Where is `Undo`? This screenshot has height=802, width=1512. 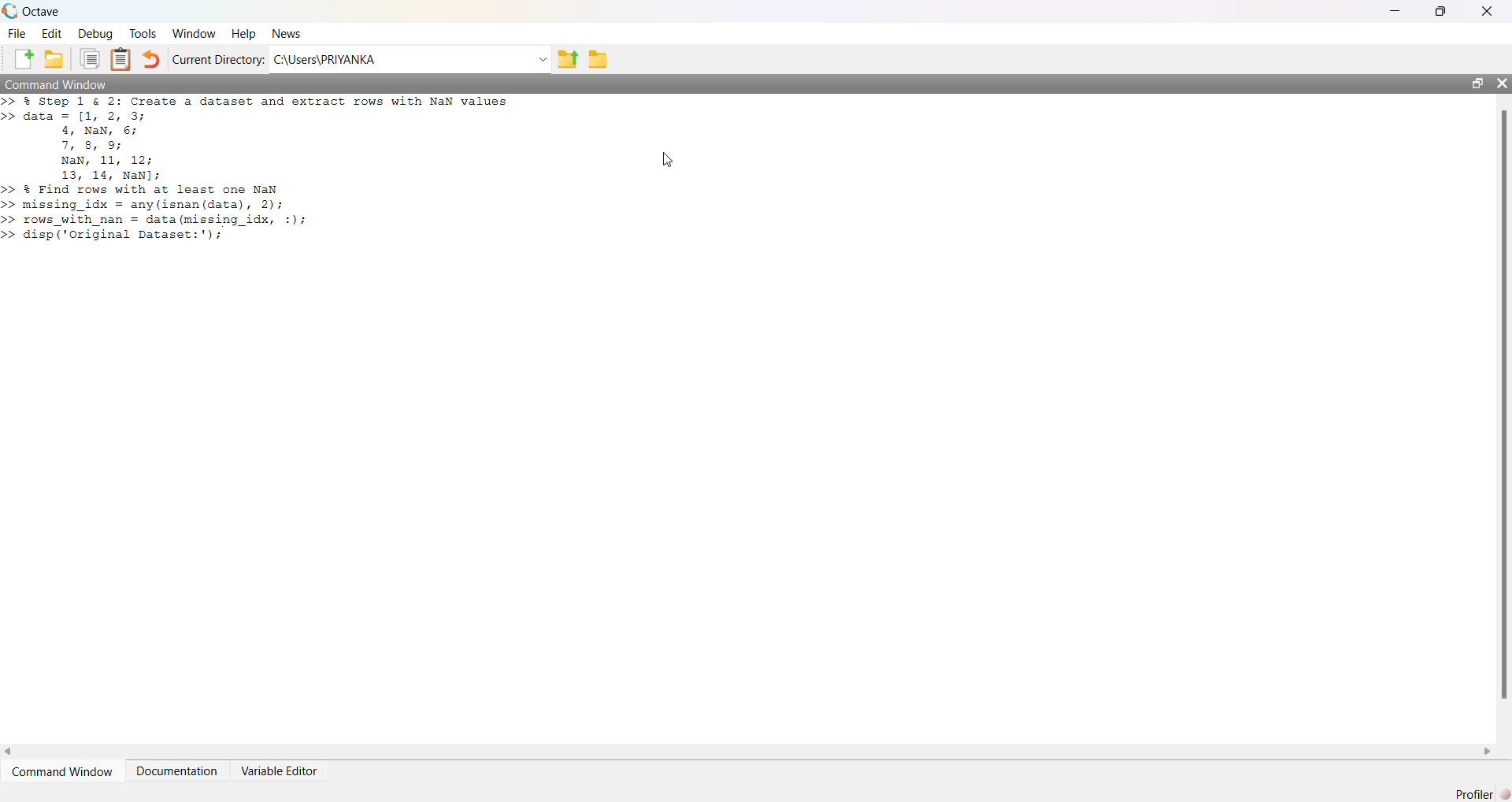 Undo is located at coordinates (150, 59).